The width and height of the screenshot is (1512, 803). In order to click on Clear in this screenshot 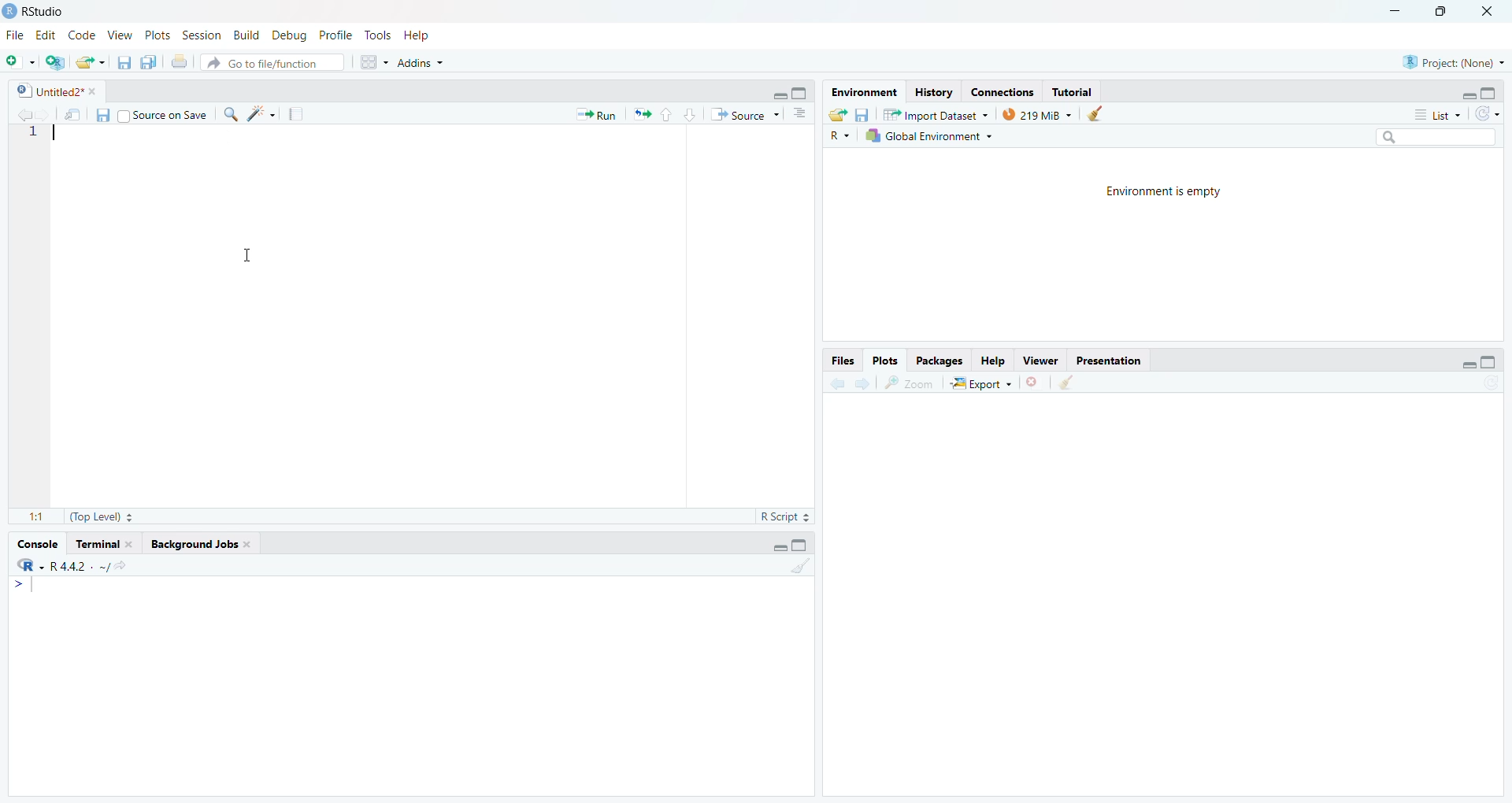, I will do `click(799, 564)`.